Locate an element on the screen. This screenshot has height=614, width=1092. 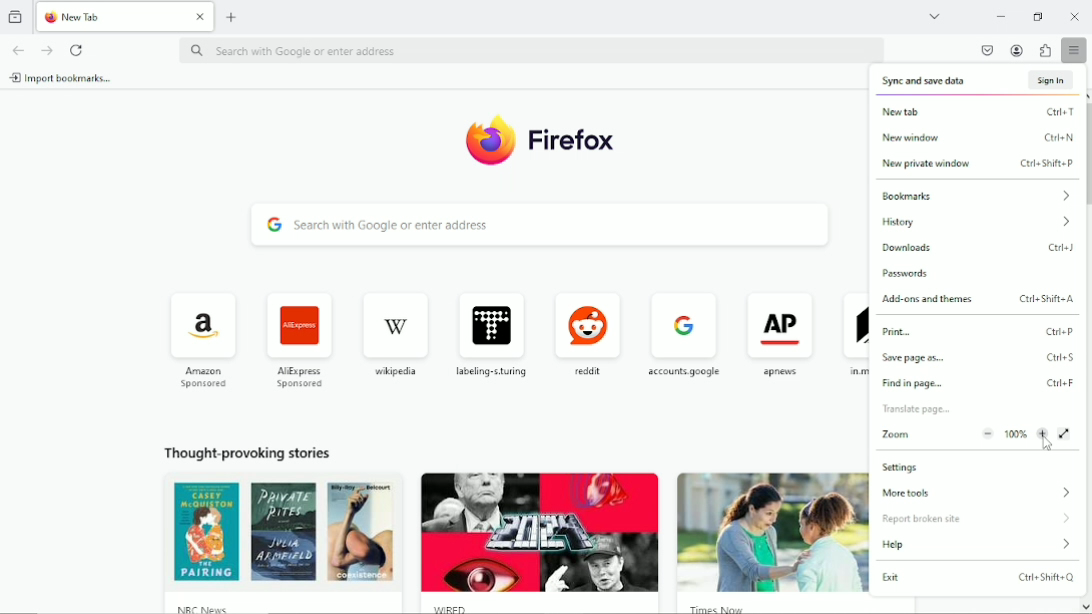
save page as is located at coordinates (978, 358).